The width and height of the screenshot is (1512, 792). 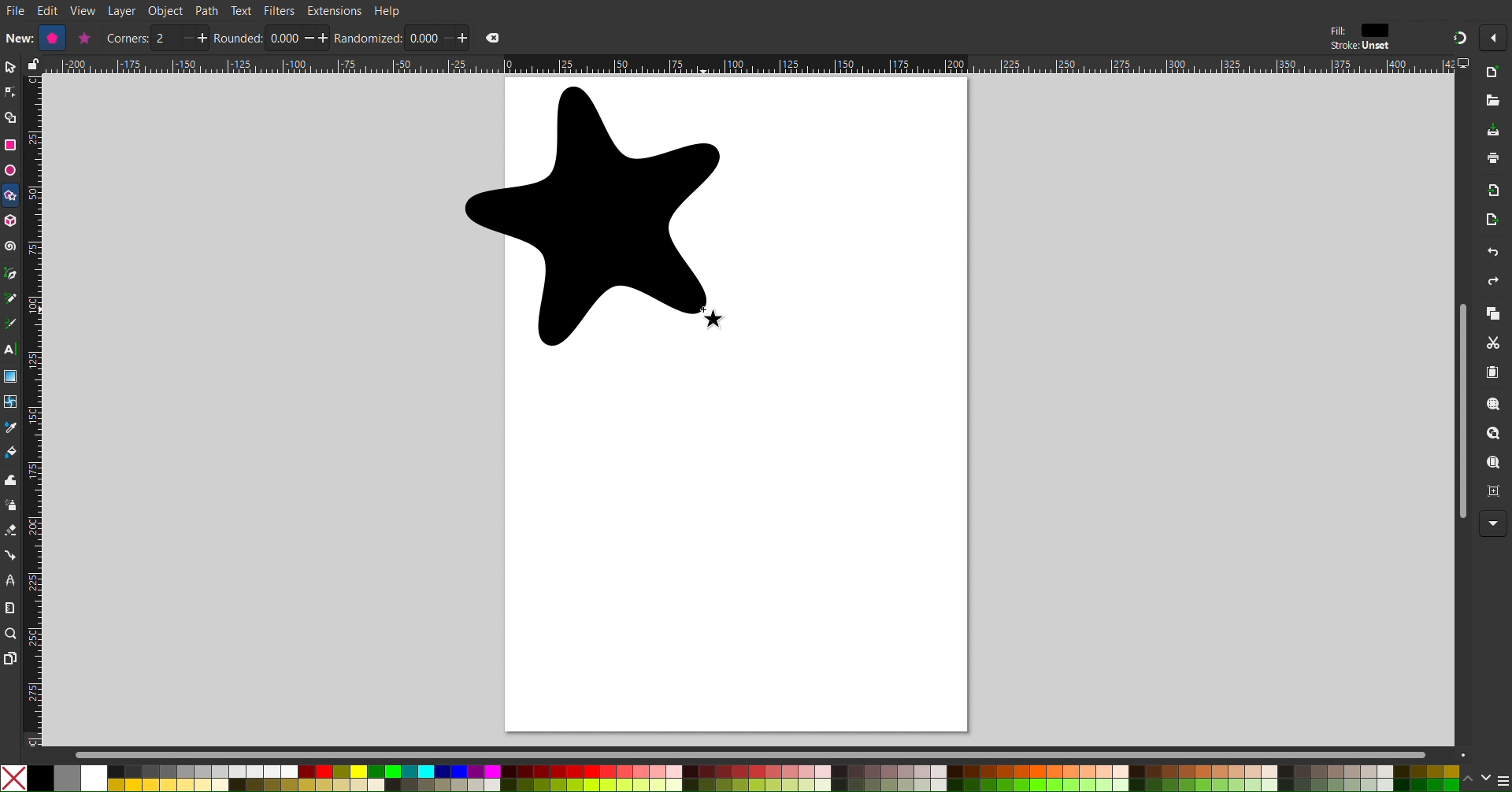 I want to click on More Options, so click(x=1497, y=38).